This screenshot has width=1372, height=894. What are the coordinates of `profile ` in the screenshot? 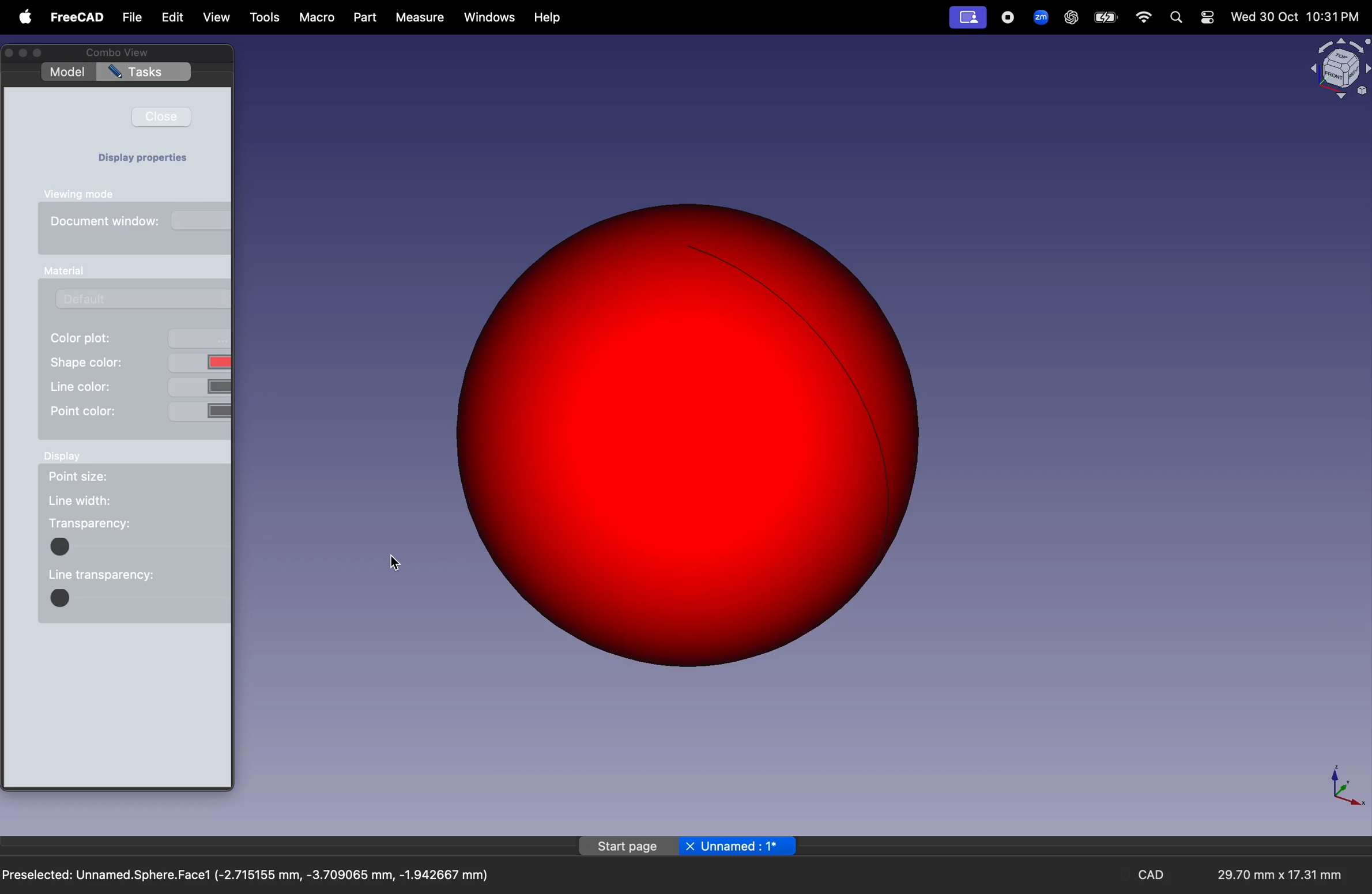 It's located at (967, 18).